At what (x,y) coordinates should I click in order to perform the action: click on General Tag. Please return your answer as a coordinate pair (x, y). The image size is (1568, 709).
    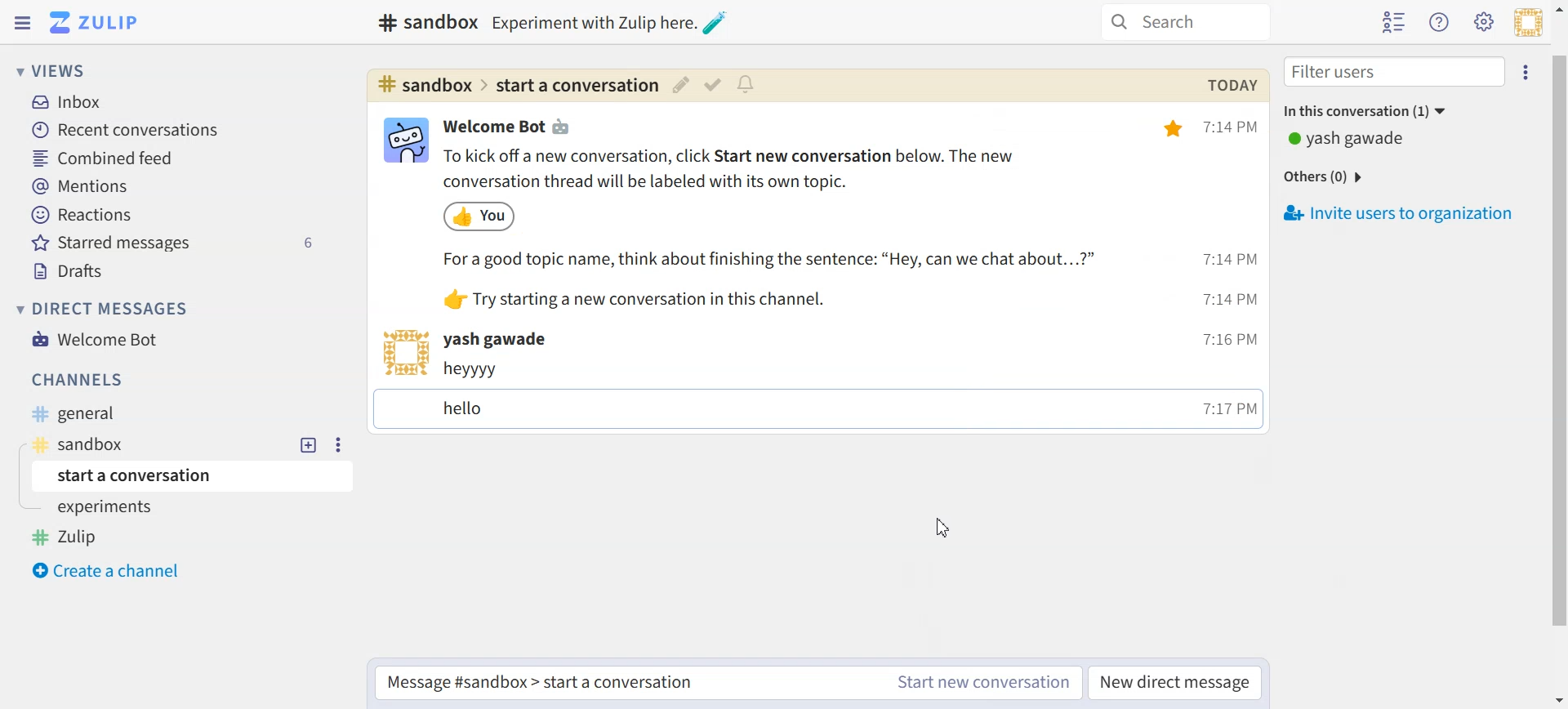
    Looking at the image, I should click on (86, 414).